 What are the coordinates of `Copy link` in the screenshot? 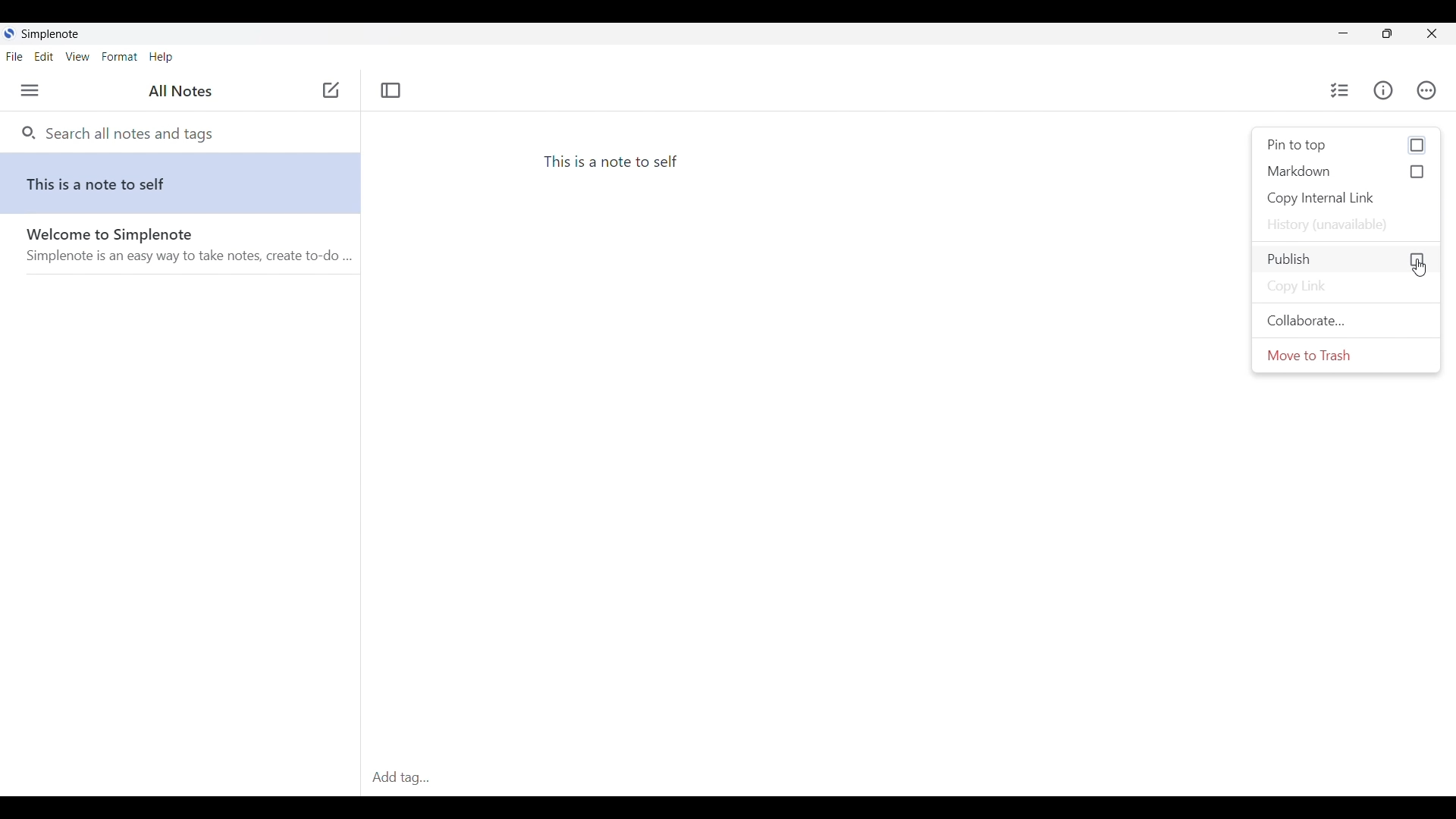 It's located at (1346, 288).